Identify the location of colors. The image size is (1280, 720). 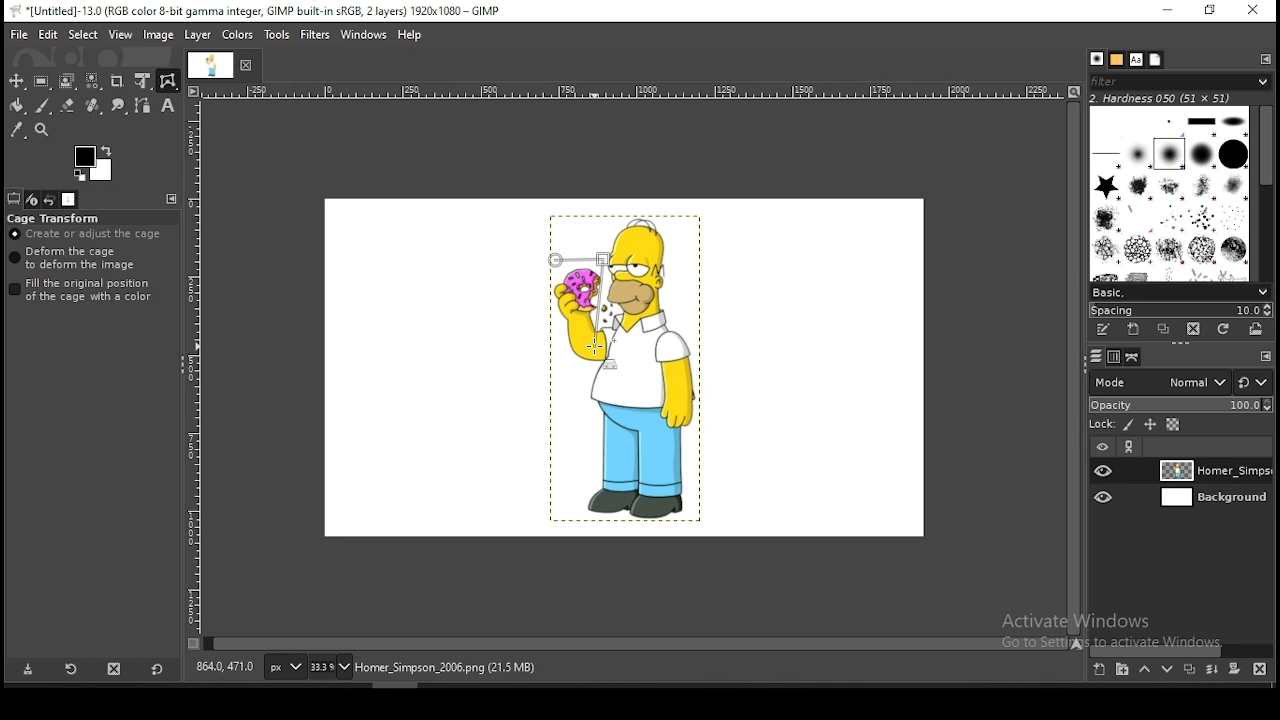
(94, 164).